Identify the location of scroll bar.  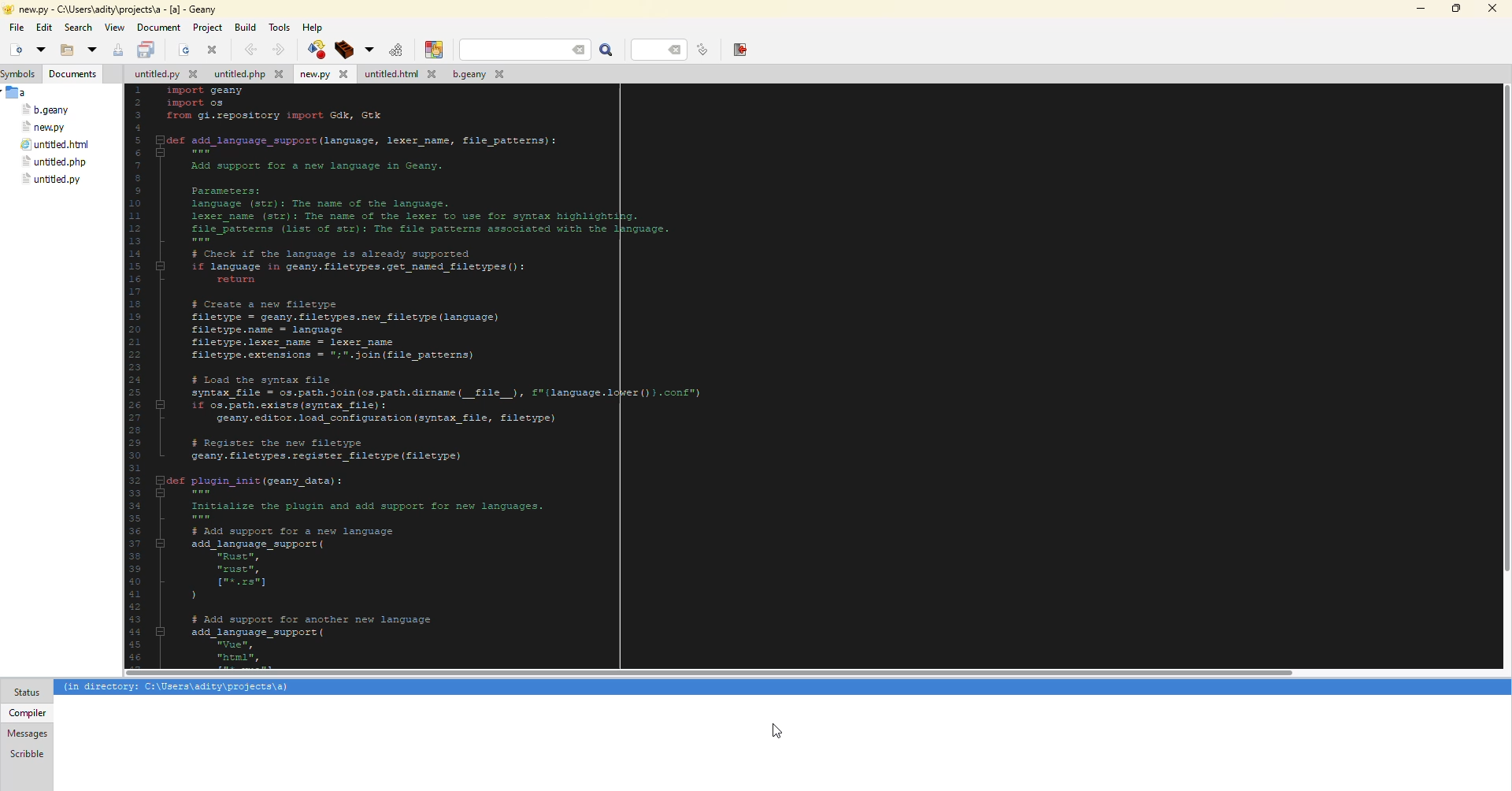
(697, 670).